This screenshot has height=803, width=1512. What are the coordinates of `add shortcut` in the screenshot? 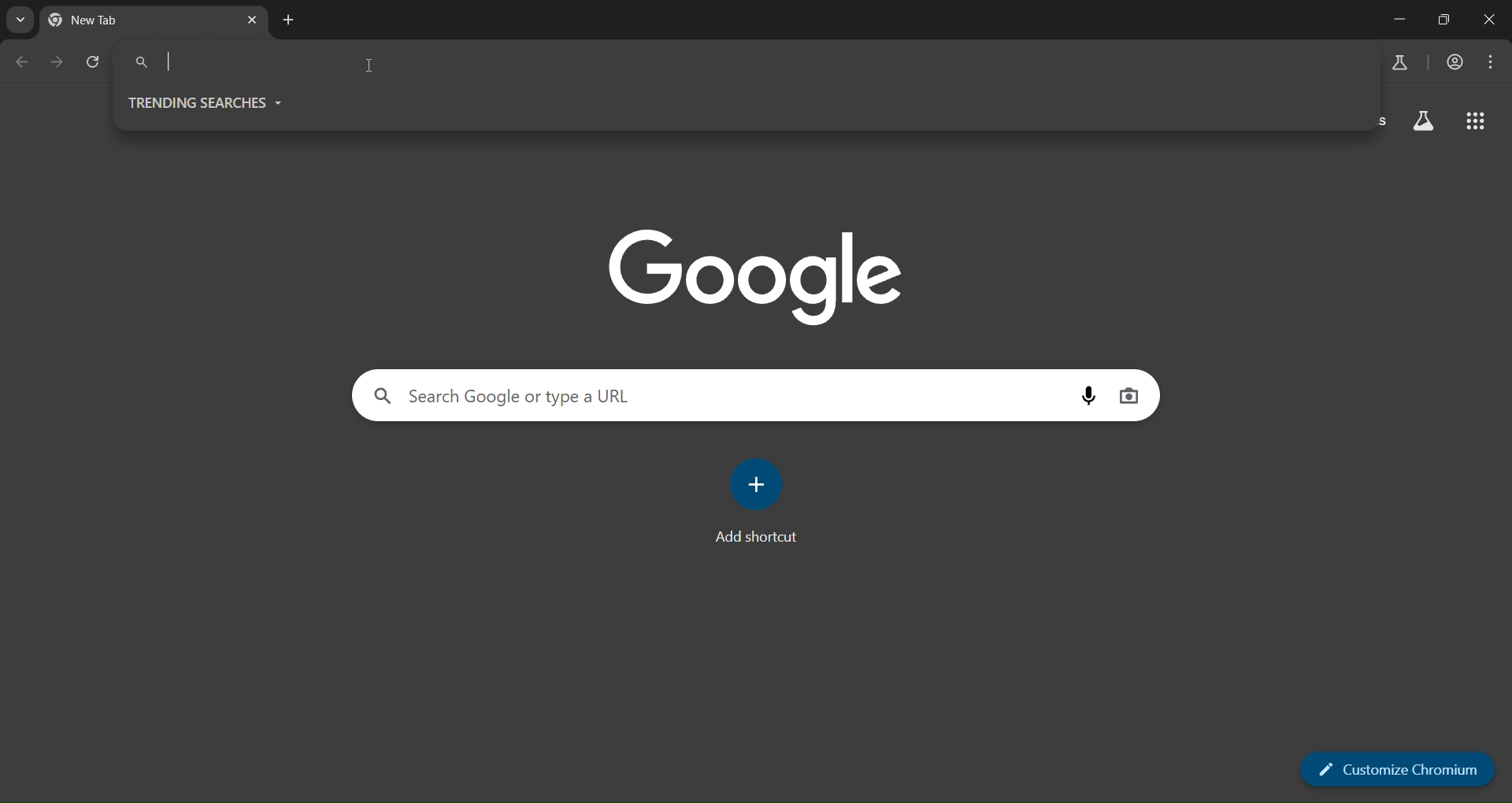 It's located at (757, 502).